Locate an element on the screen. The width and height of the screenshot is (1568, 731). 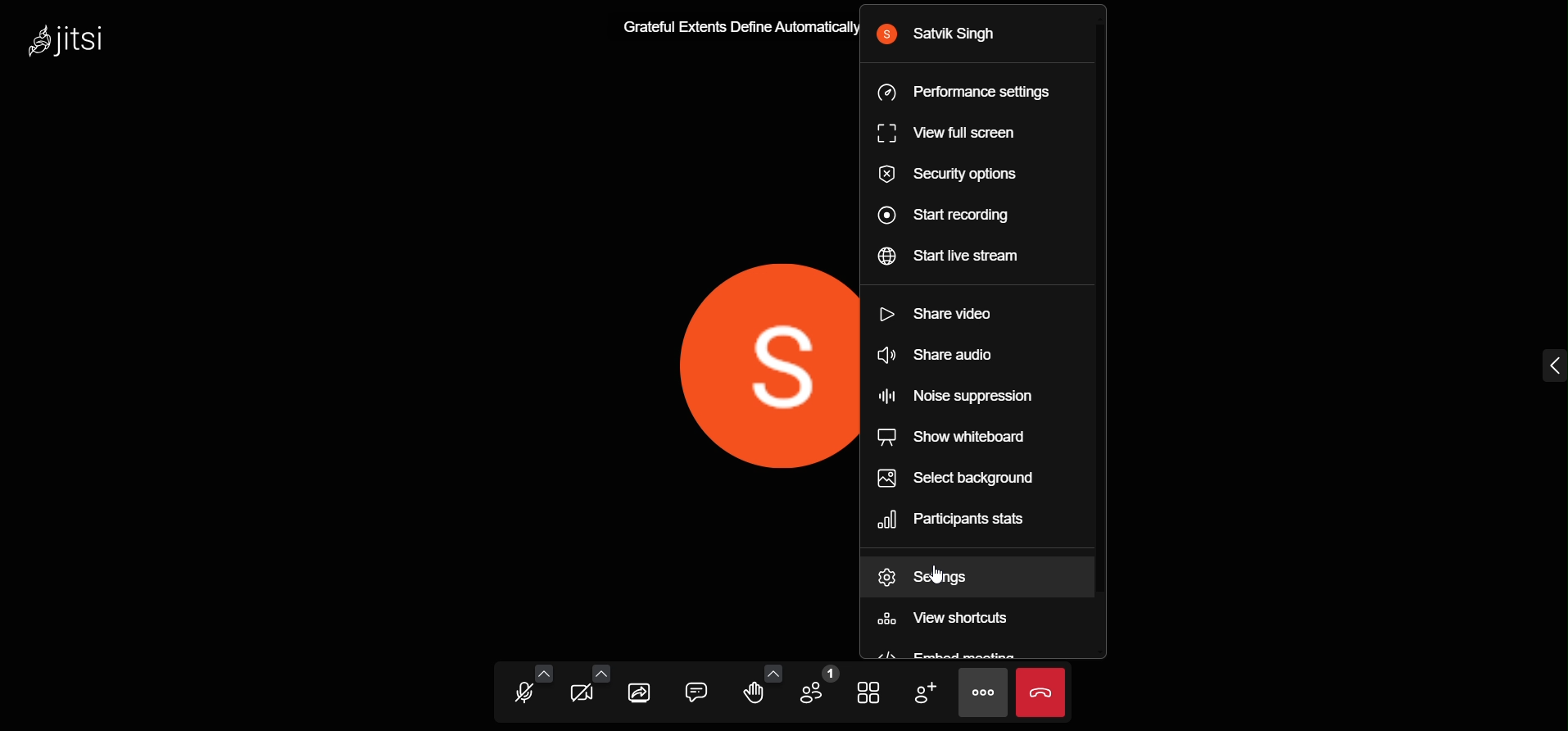
more is located at coordinates (980, 692).